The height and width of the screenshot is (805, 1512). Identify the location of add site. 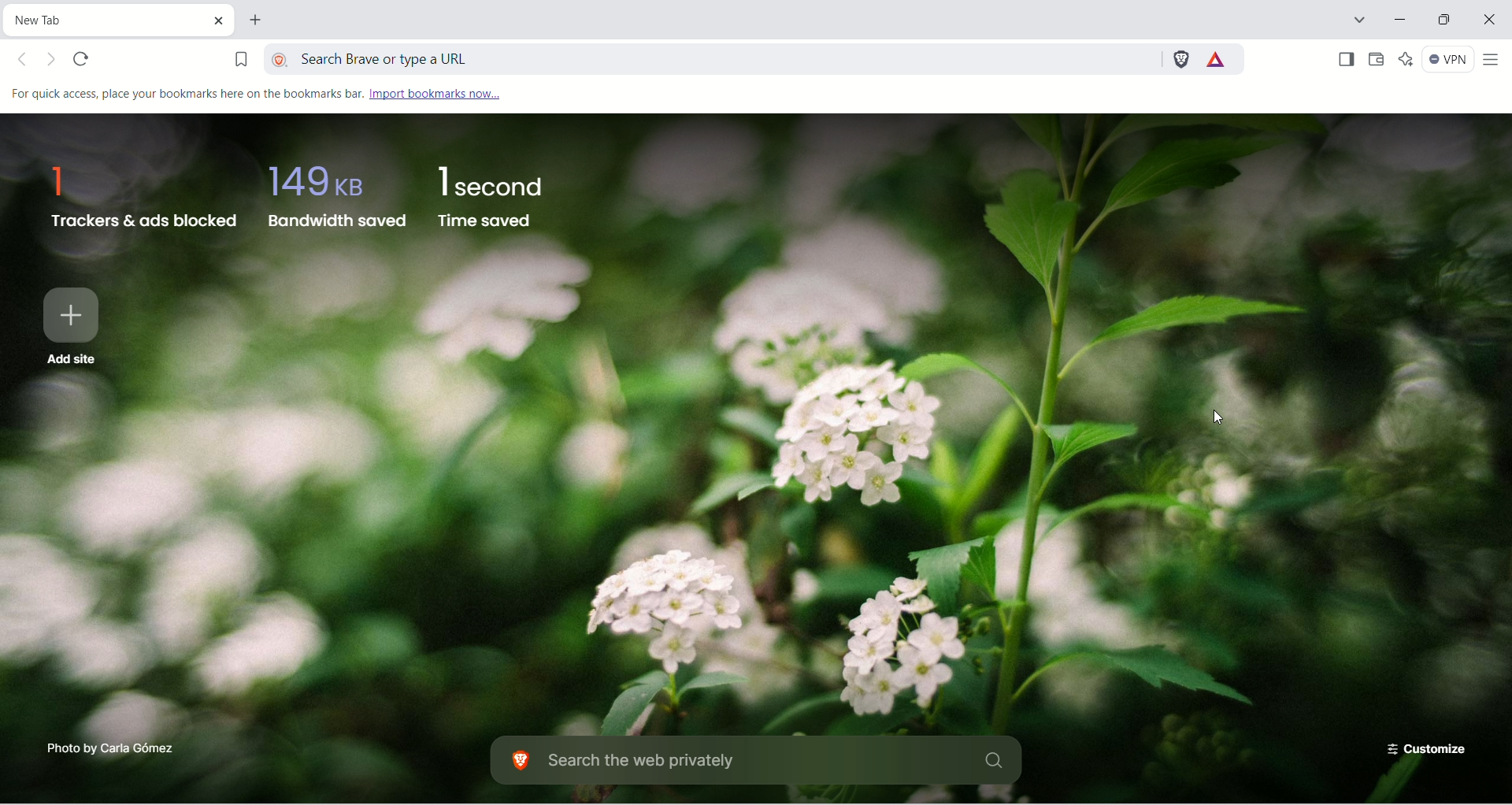
(76, 325).